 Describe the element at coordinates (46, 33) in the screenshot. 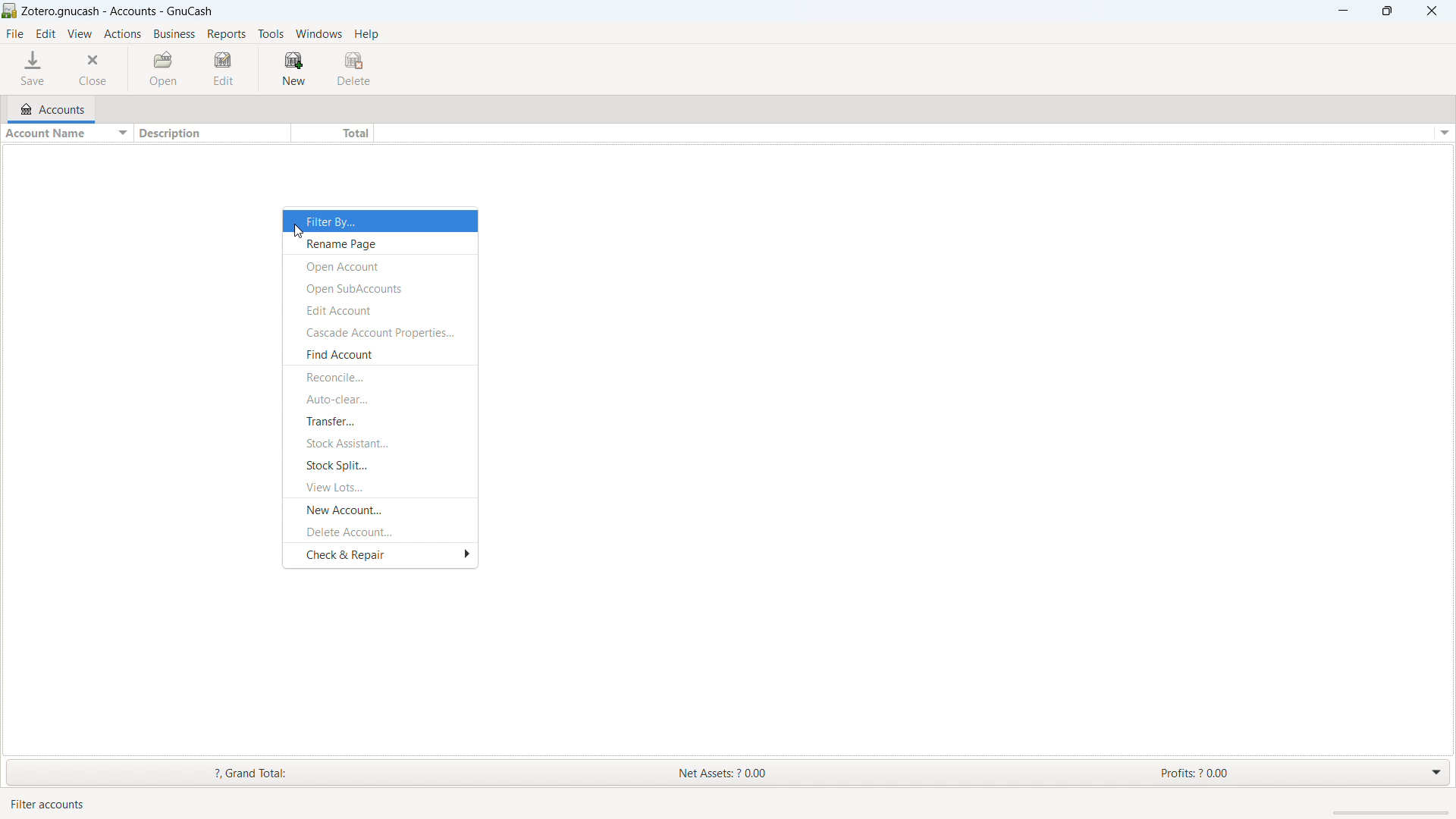

I see `edit` at that location.